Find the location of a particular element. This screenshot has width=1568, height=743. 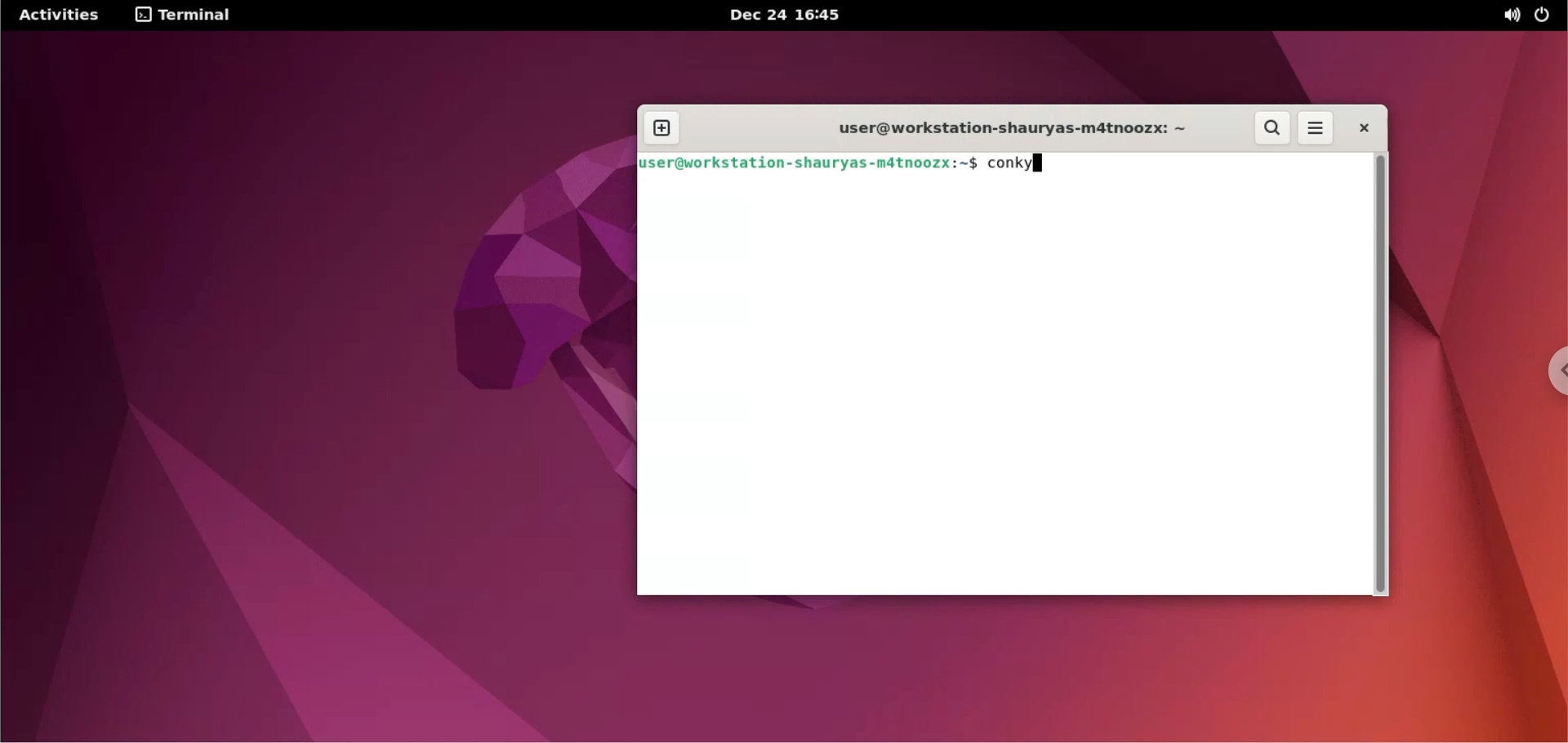

new window is located at coordinates (669, 129).